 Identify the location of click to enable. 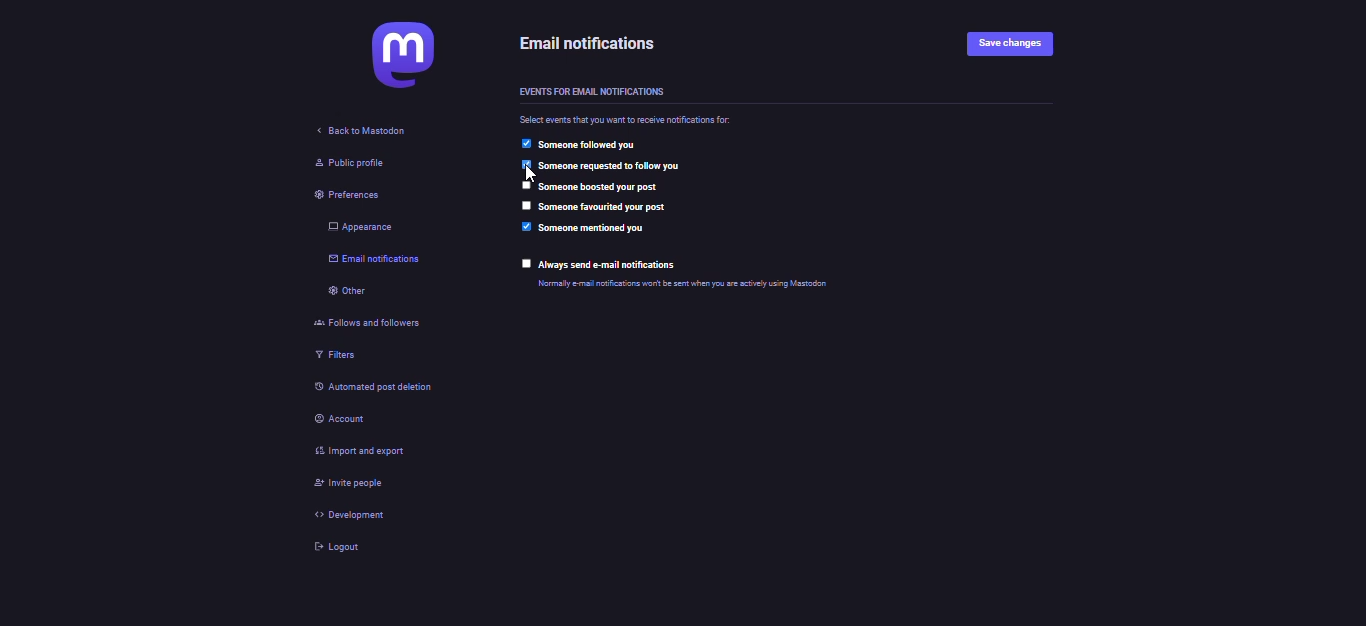
(525, 207).